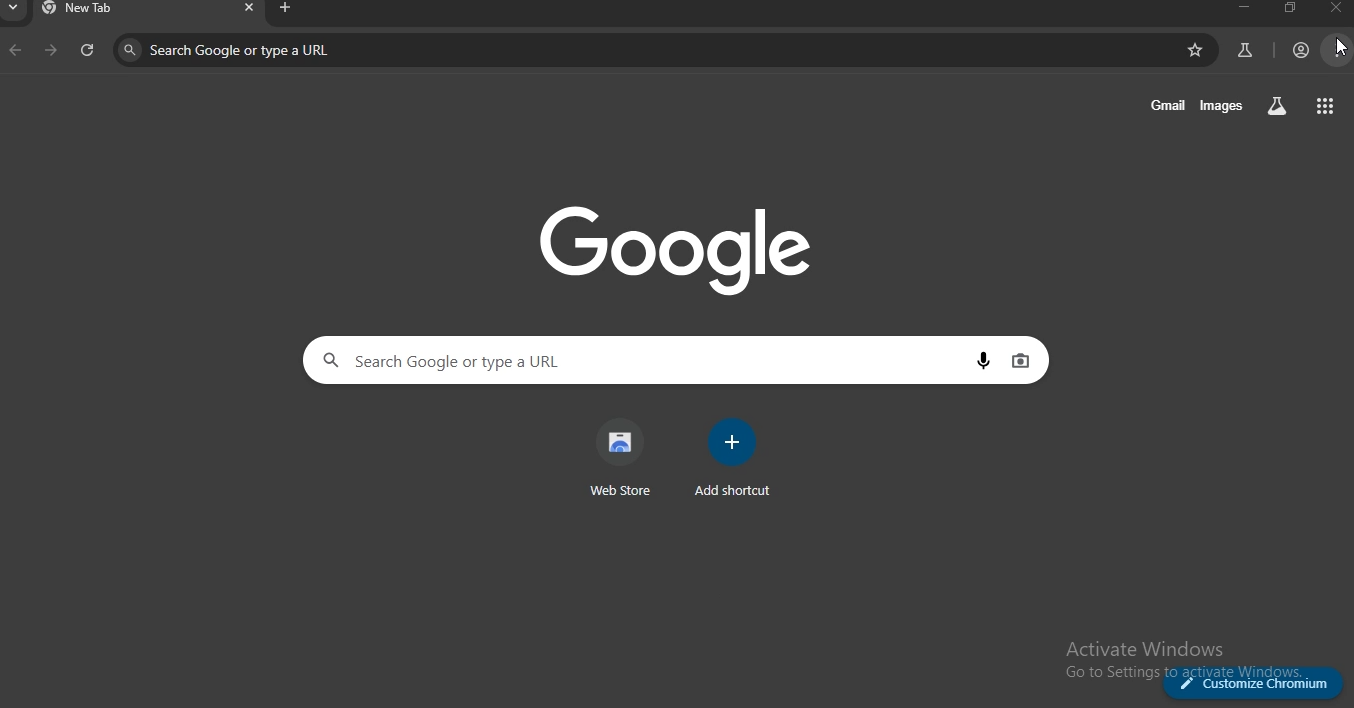  I want to click on refresh, so click(86, 53).